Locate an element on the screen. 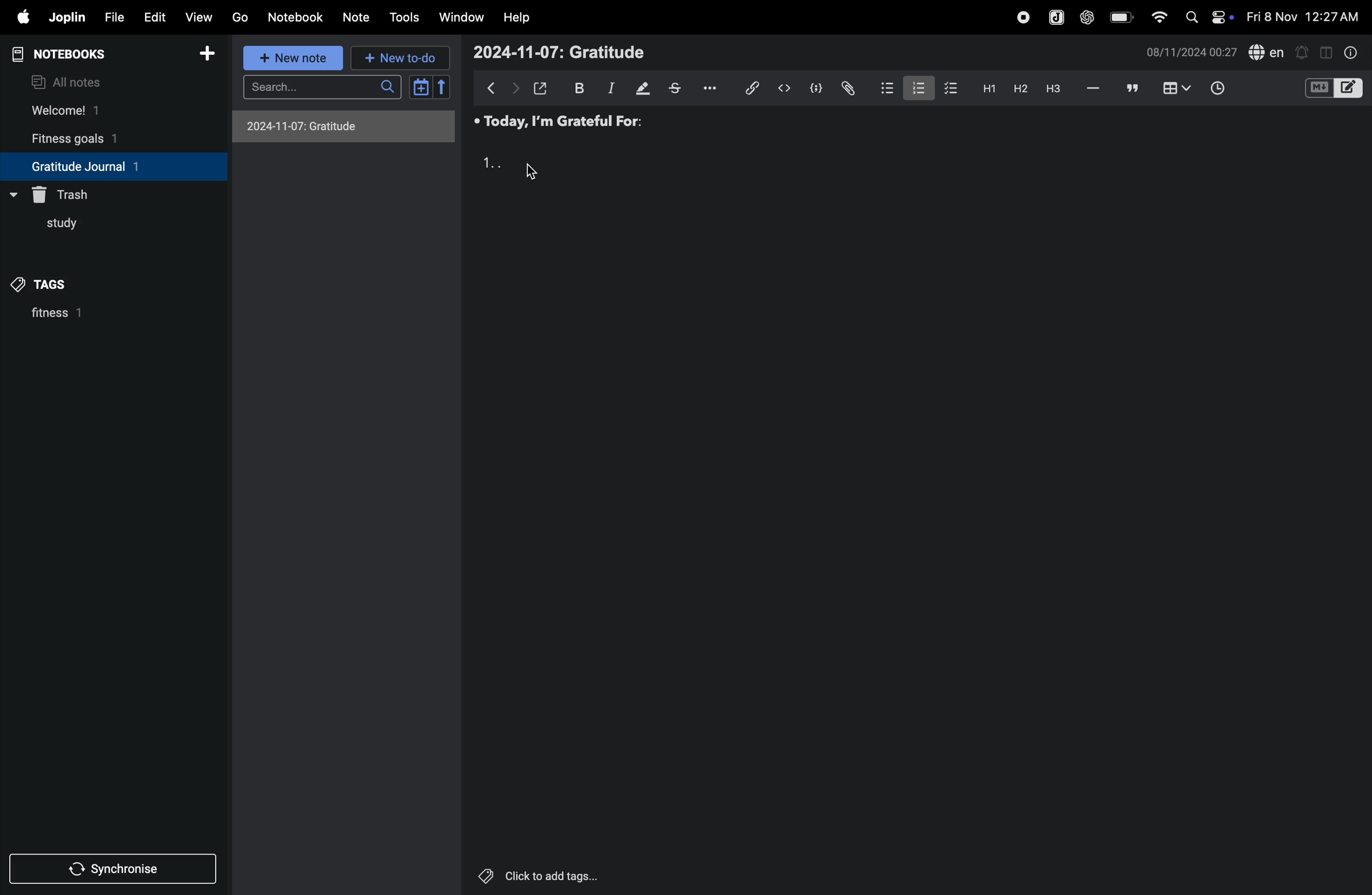 The height and width of the screenshot is (895, 1372). insert sedit link is located at coordinates (752, 88).